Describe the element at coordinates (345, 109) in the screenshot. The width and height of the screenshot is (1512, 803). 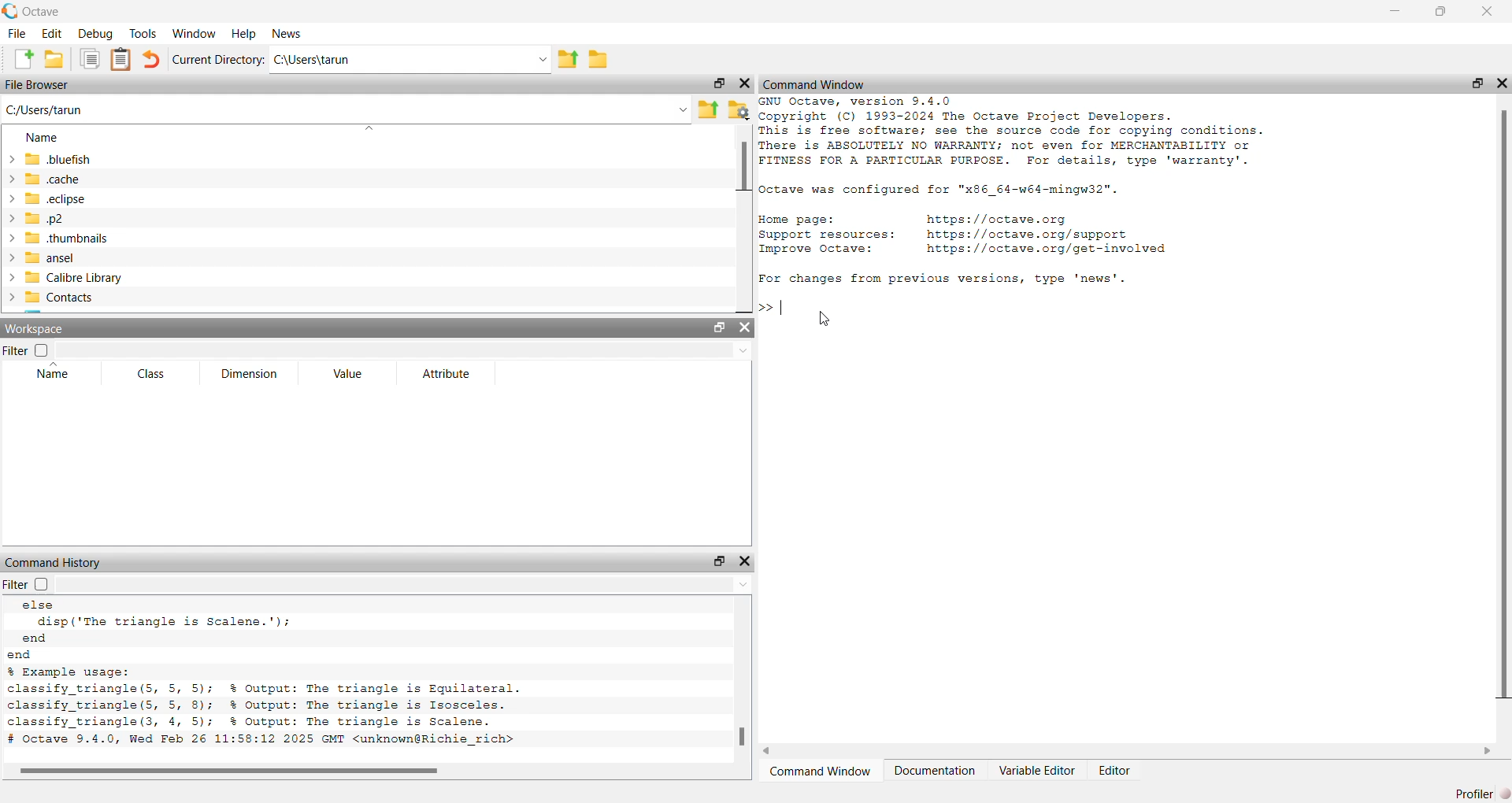
I see `enter the path or file name` at that location.